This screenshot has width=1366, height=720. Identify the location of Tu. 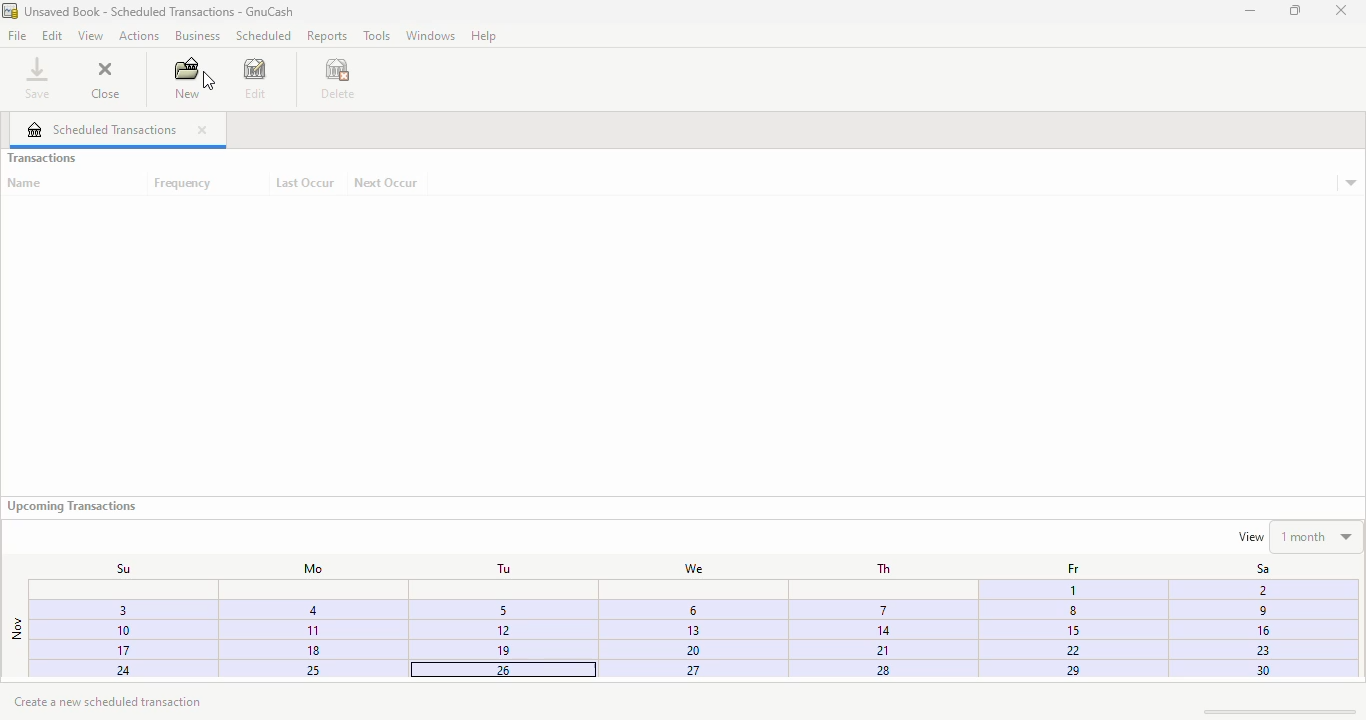
(501, 568).